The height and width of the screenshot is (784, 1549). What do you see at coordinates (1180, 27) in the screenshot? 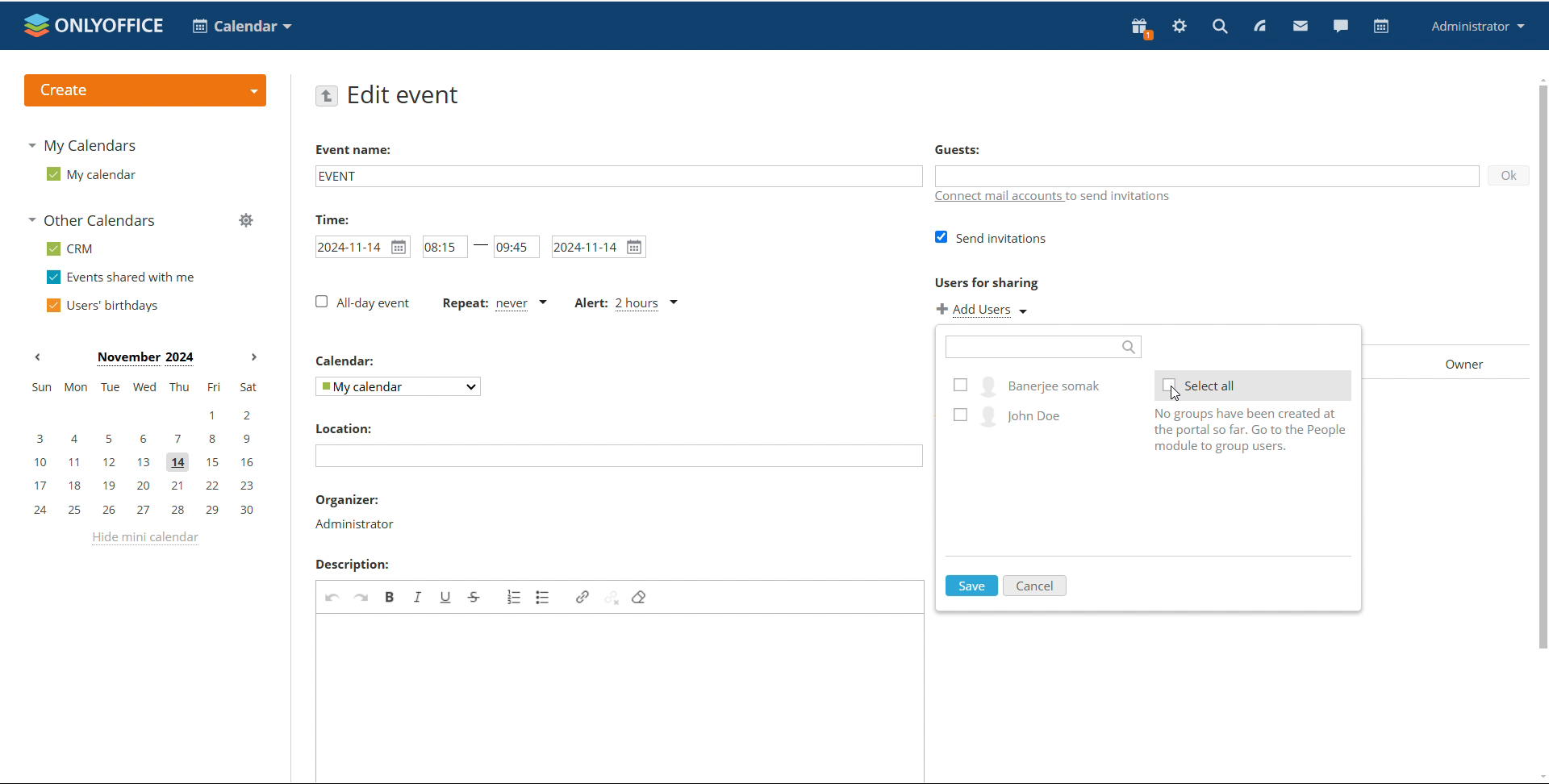
I see `settings` at bounding box center [1180, 27].